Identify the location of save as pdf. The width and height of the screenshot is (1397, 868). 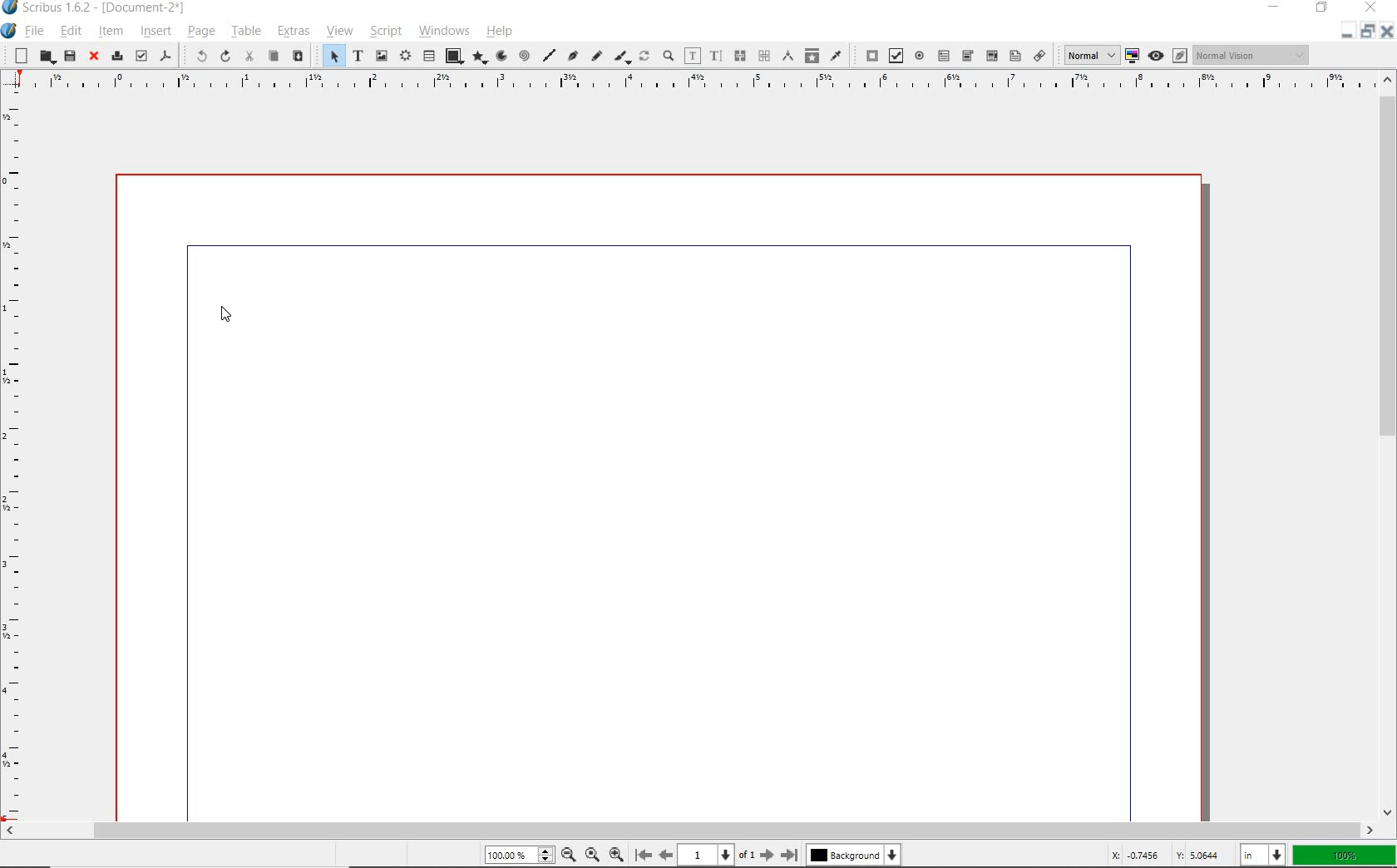
(166, 57).